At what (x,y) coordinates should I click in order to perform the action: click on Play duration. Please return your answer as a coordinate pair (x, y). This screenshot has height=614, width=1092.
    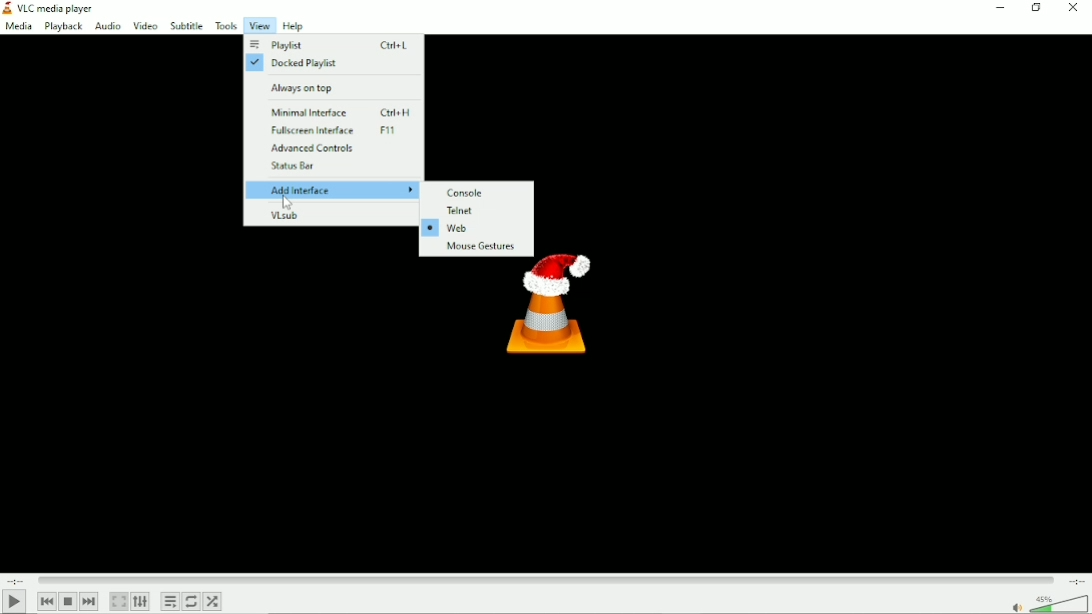
    Looking at the image, I should click on (546, 580).